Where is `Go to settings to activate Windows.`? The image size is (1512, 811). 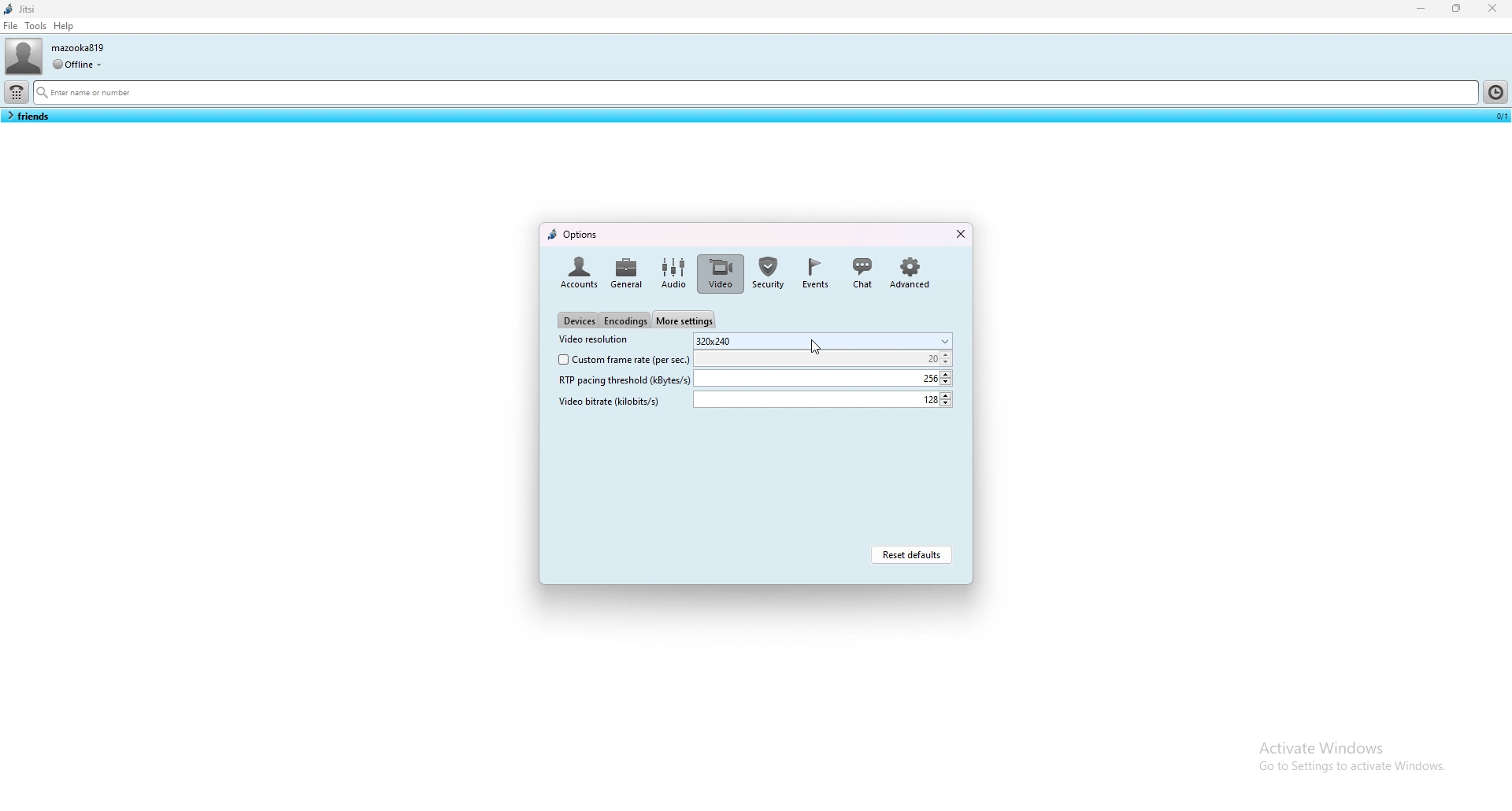
Go to settings to activate Windows. is located at coordinates (1350, 770).